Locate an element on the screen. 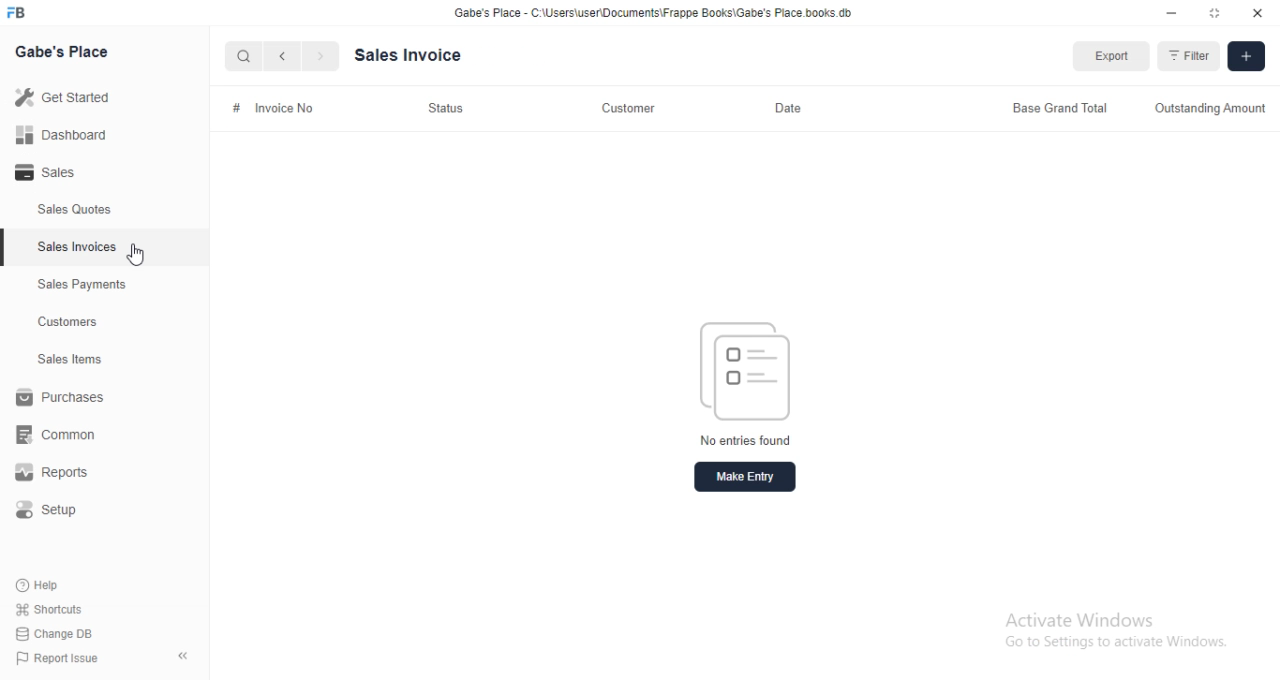 This screenshot has height=680, width=1280. [+]Add is located at coordinates (1247, 56).